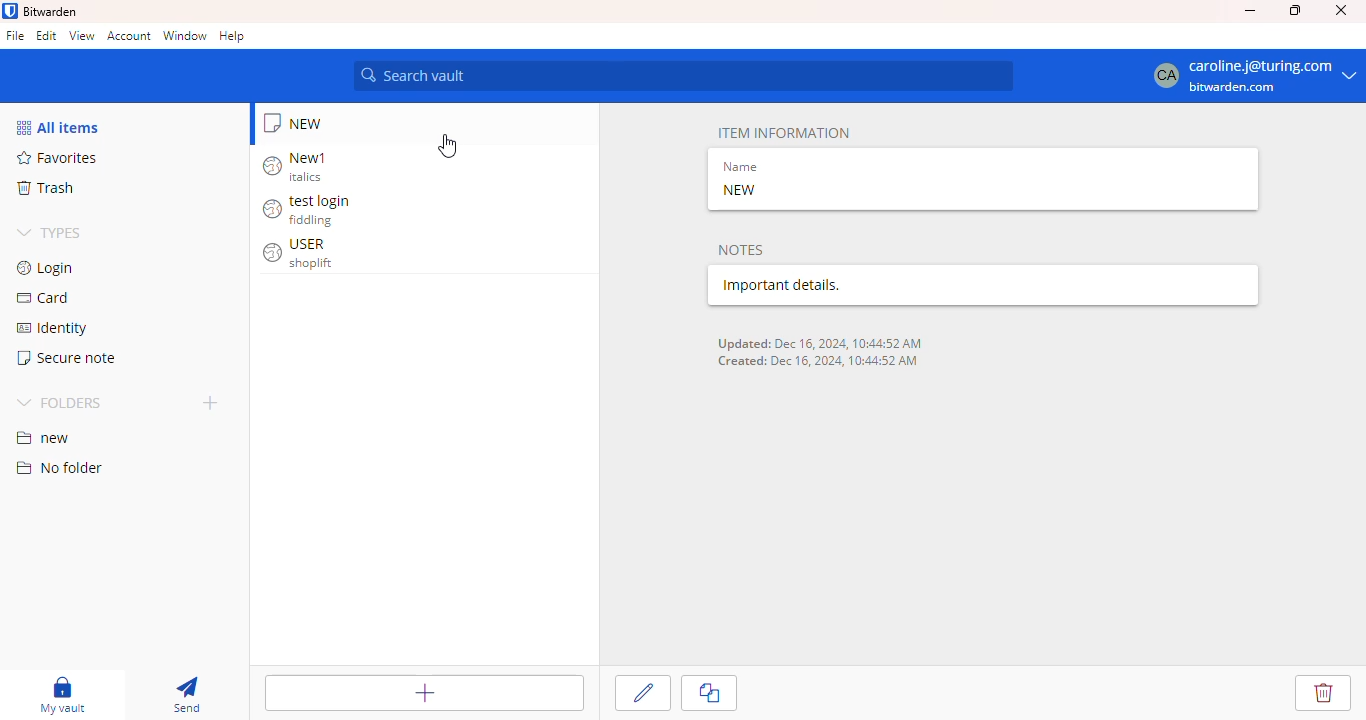 The height and width of the screenshot is (720, 1366). Describe the element at coordinates (1341, 10) in the screenshot. I see `close` at that location.